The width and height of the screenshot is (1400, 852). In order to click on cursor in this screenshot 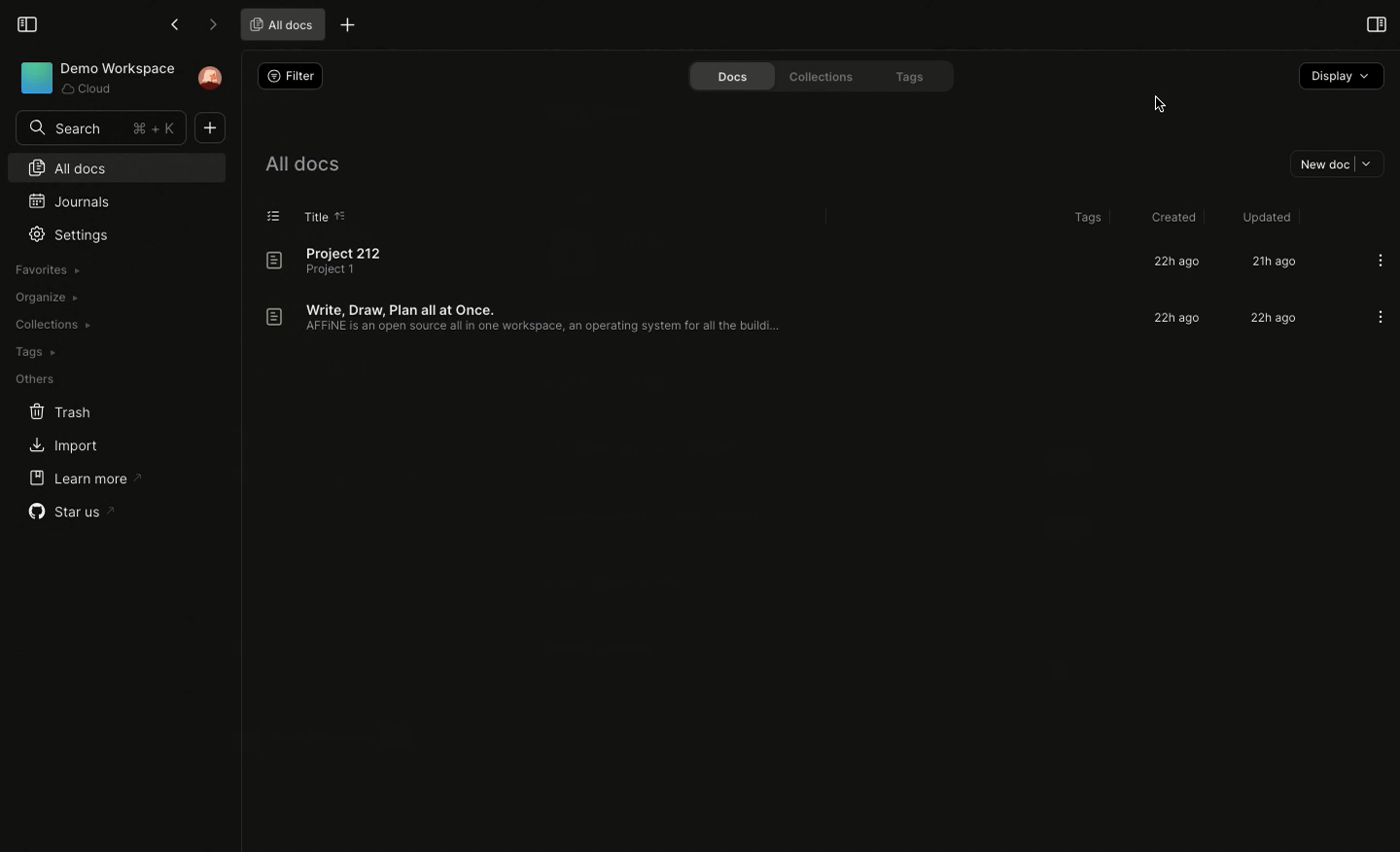, I will do `click(1159, 97)`.